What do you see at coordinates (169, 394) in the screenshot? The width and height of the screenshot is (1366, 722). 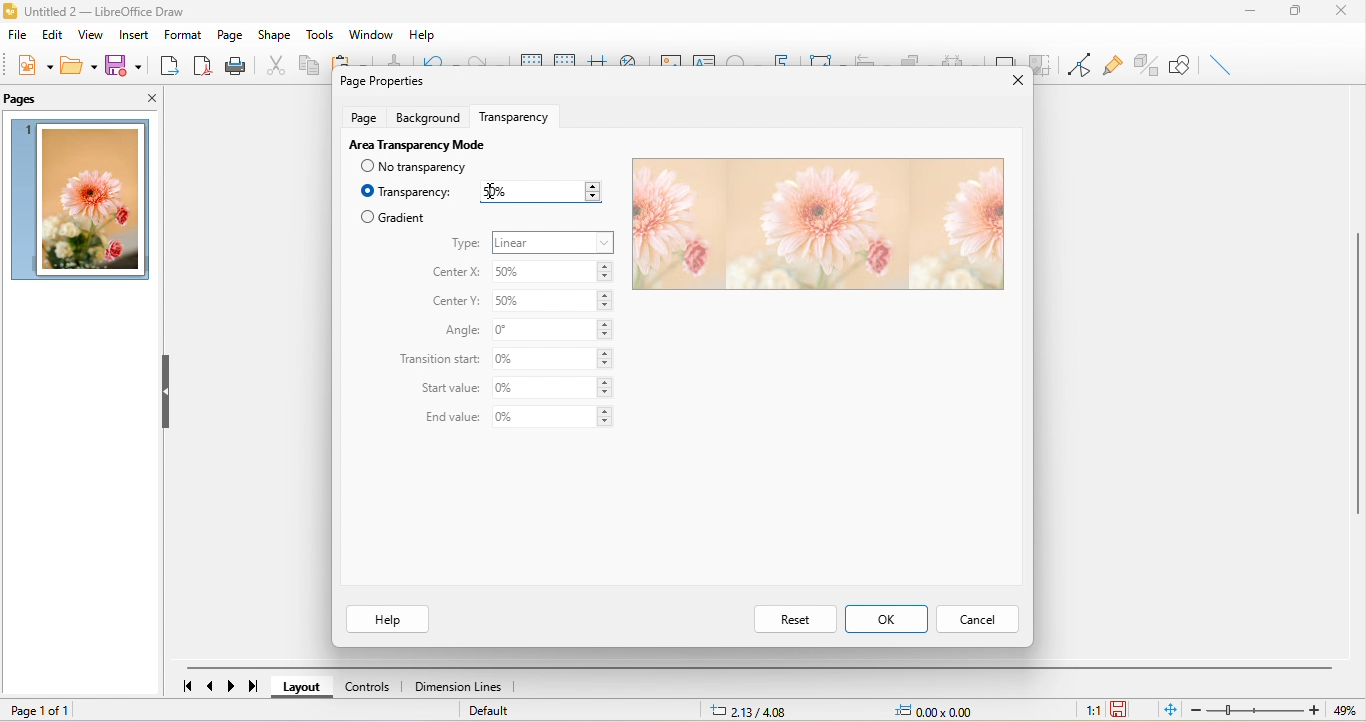 I see `hide` at bounding box center [169, 394].